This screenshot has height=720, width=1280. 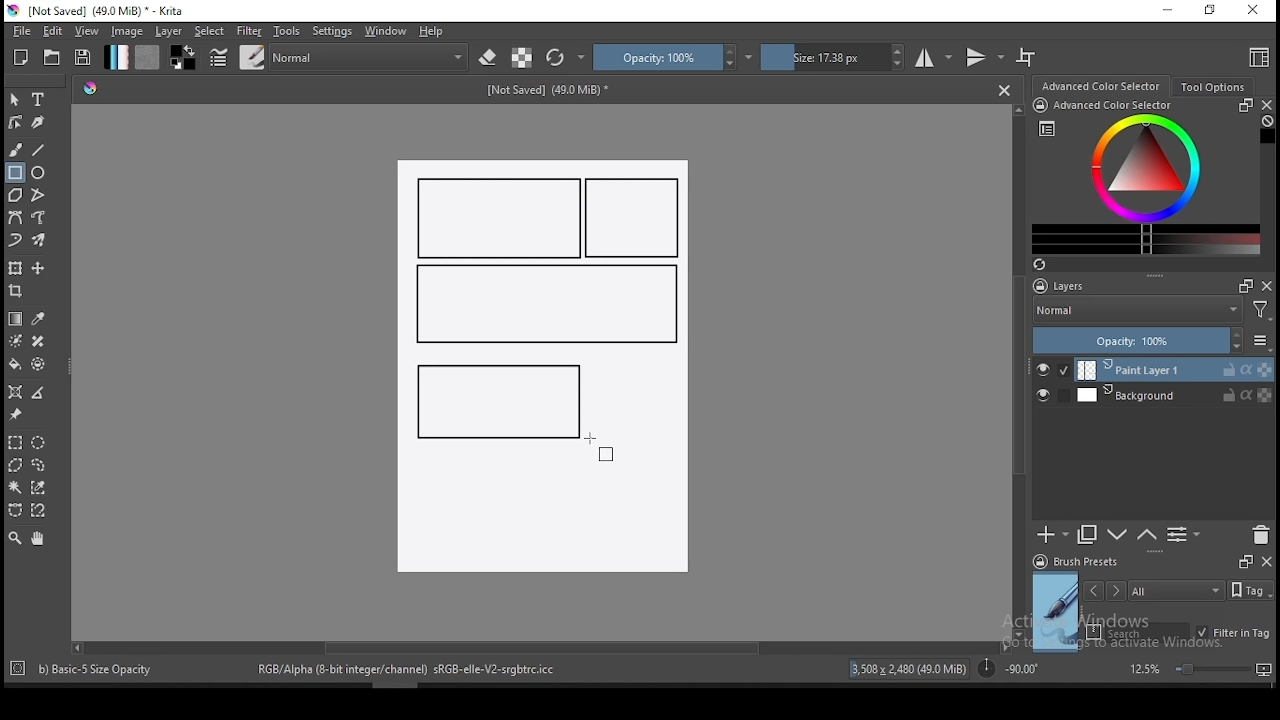 I want to click on crop tool, so click(x=18, y=293).